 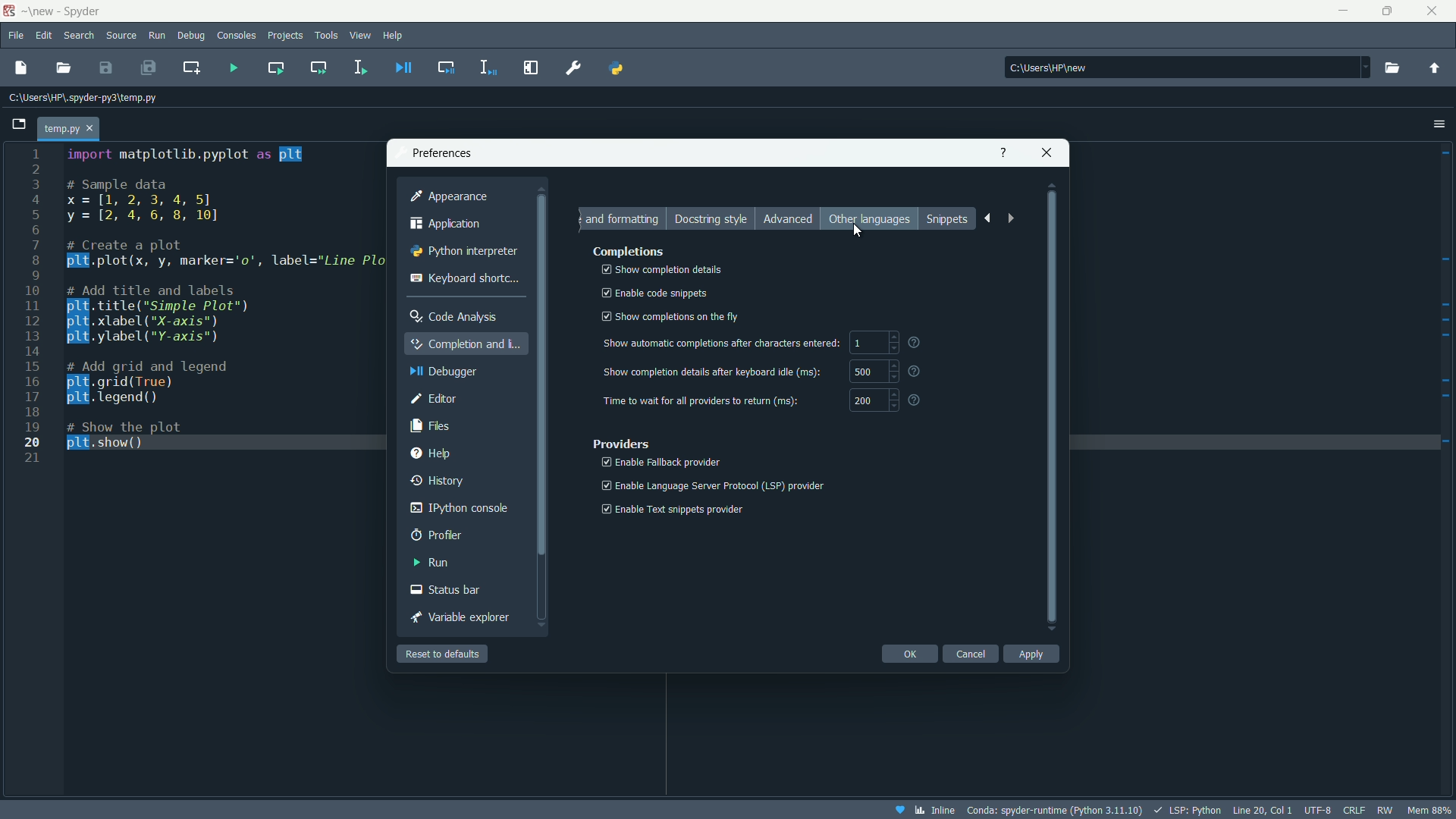 I want to click on enable fallback provider, so click(x=667, y=461).